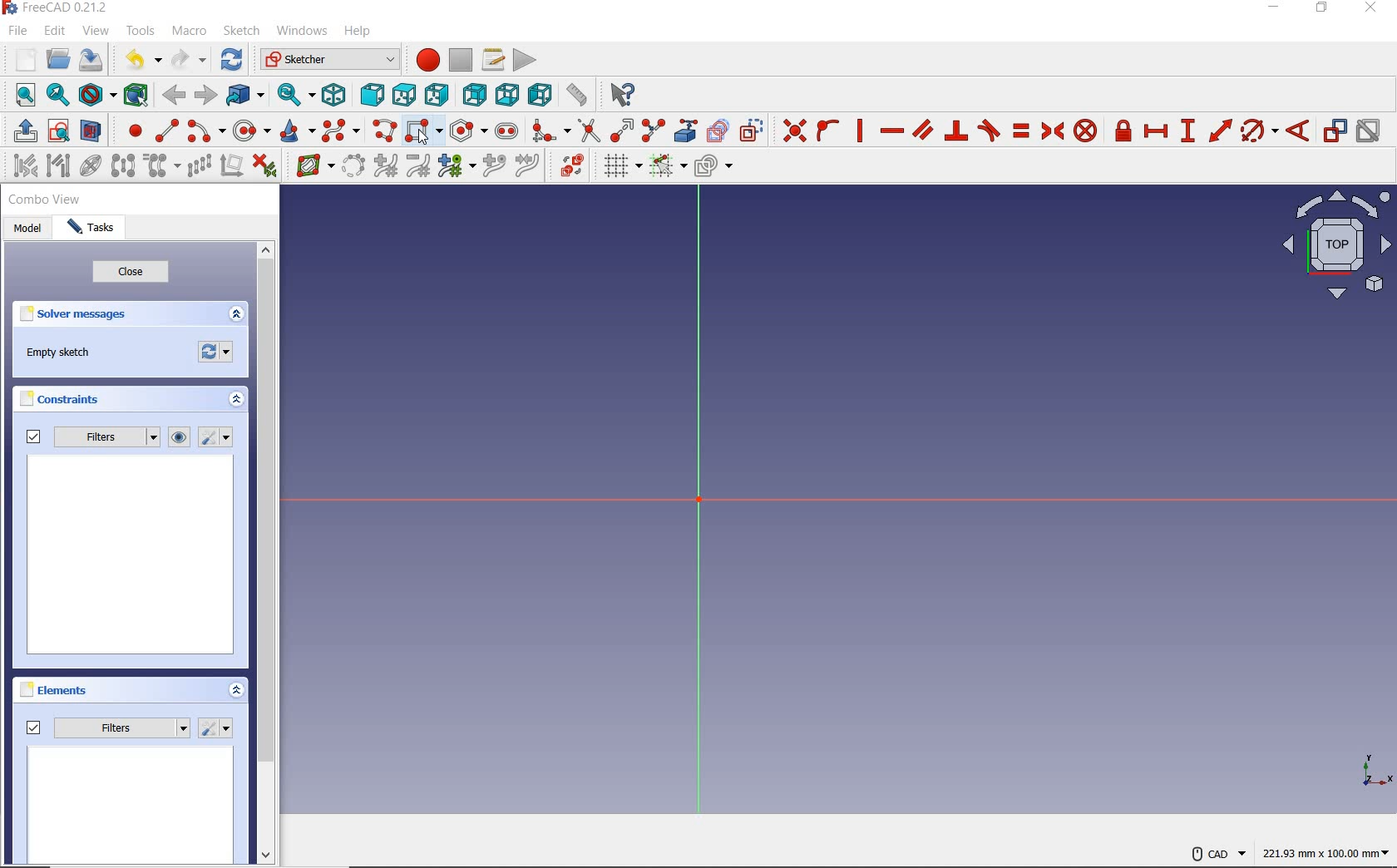  I want to click on create regular polygon, so click(466, 131).